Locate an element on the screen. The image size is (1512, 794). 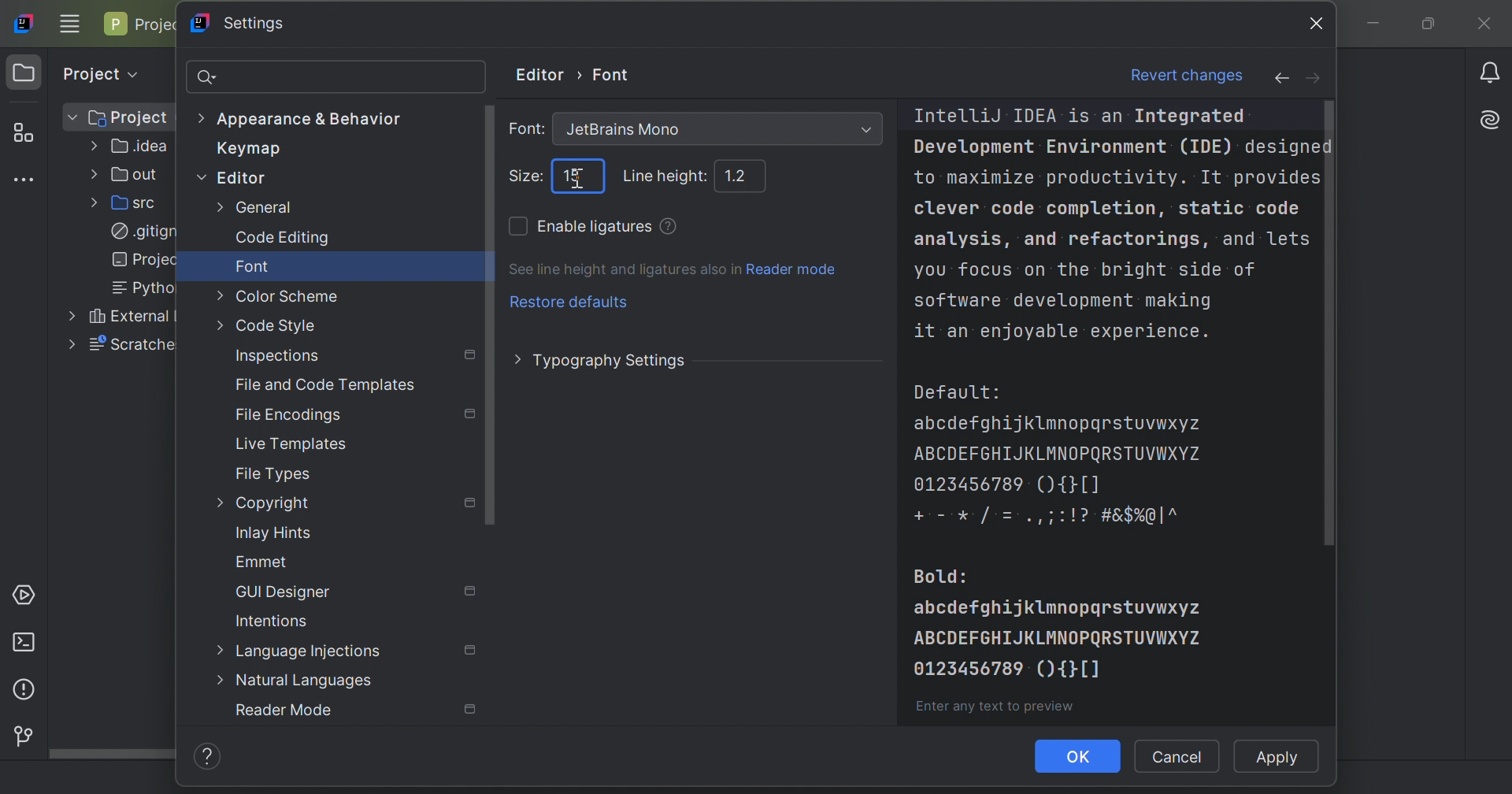
Size is located at coordinates (525, 176).